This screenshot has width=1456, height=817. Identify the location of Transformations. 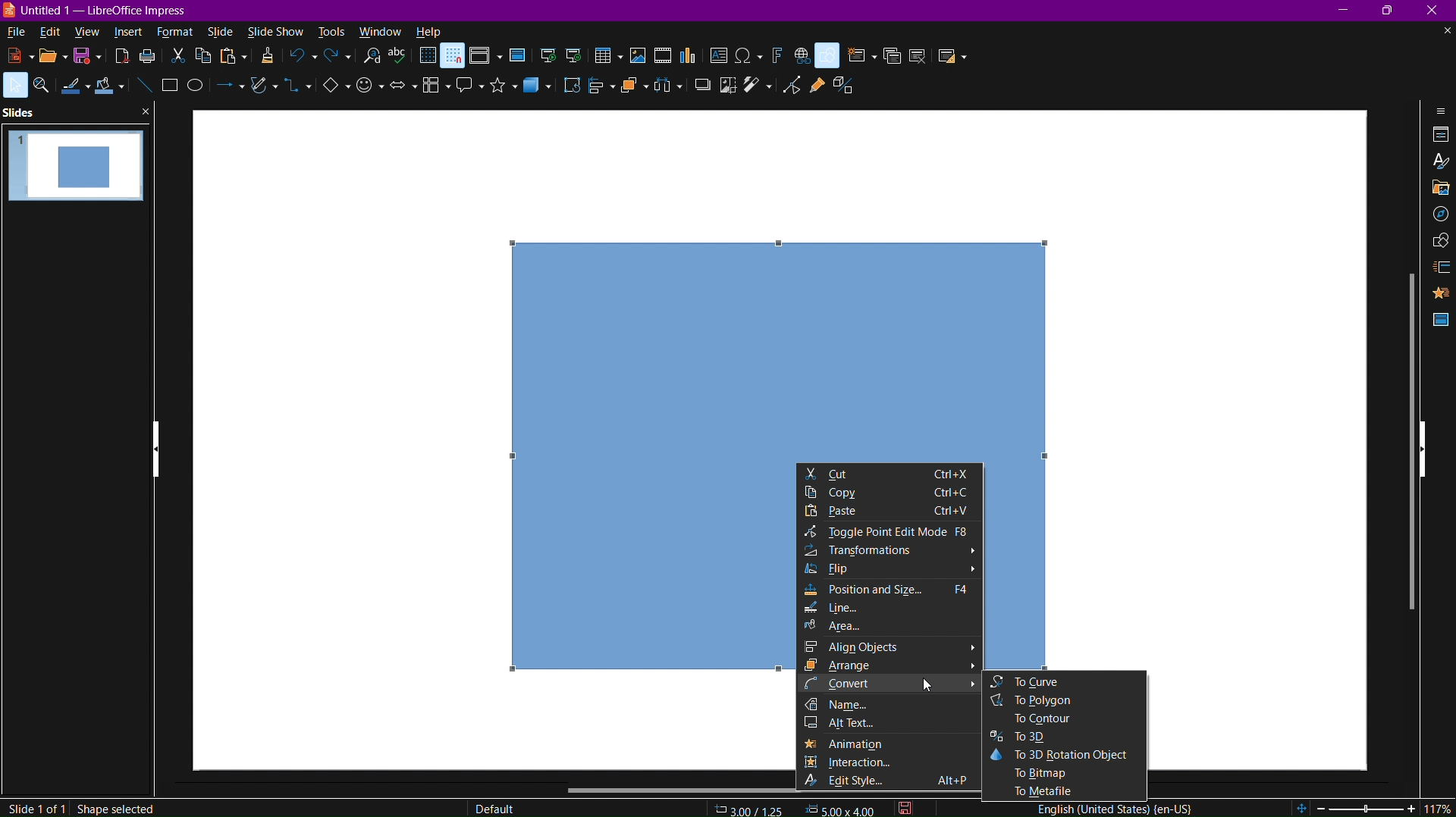
(890, 552).